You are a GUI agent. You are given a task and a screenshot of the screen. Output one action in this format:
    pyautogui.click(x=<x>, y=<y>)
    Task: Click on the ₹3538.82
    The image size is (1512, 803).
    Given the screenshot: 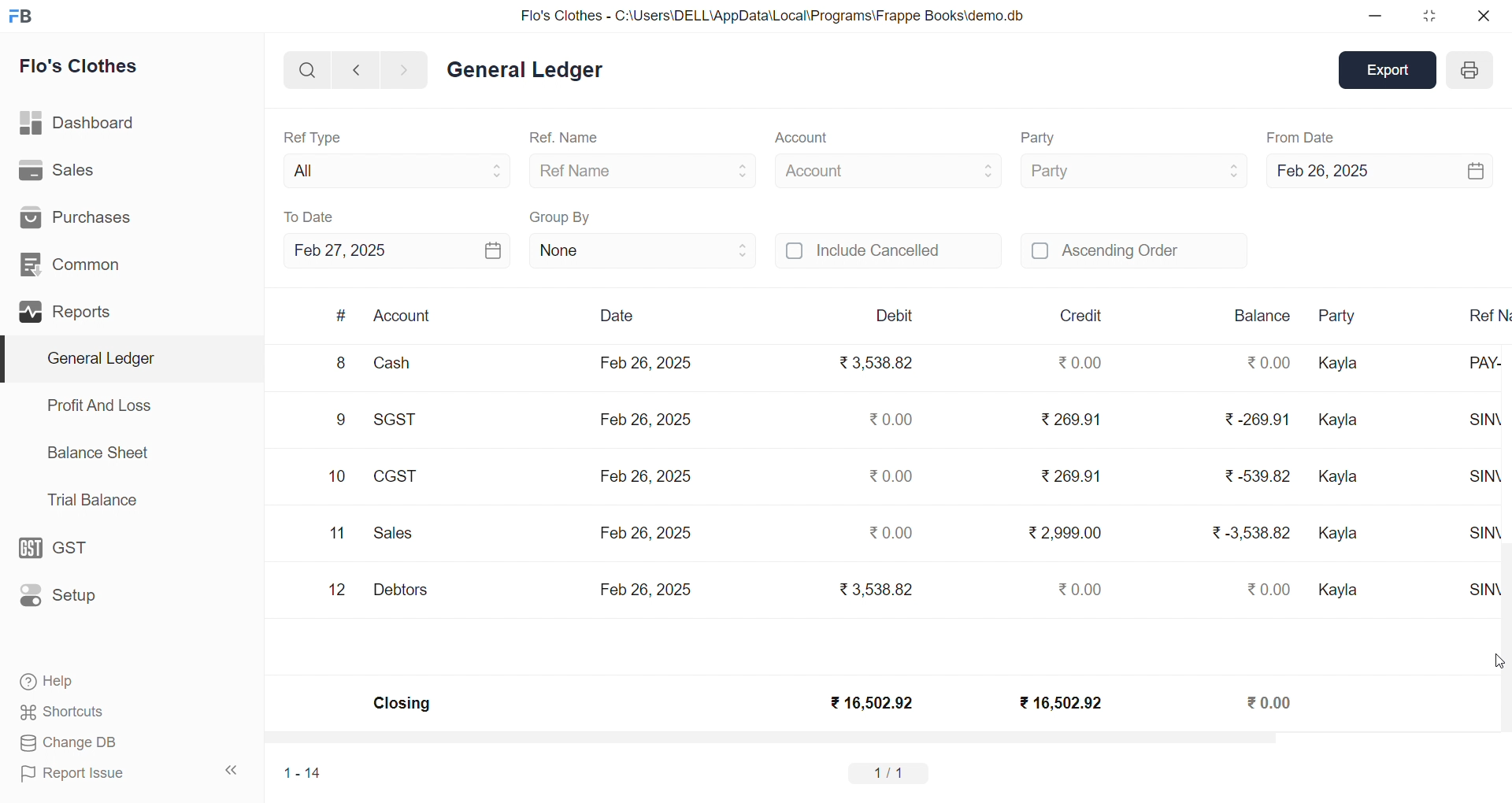 What is the action you would take?
    pyautogui.click(x=880, y=364)
    